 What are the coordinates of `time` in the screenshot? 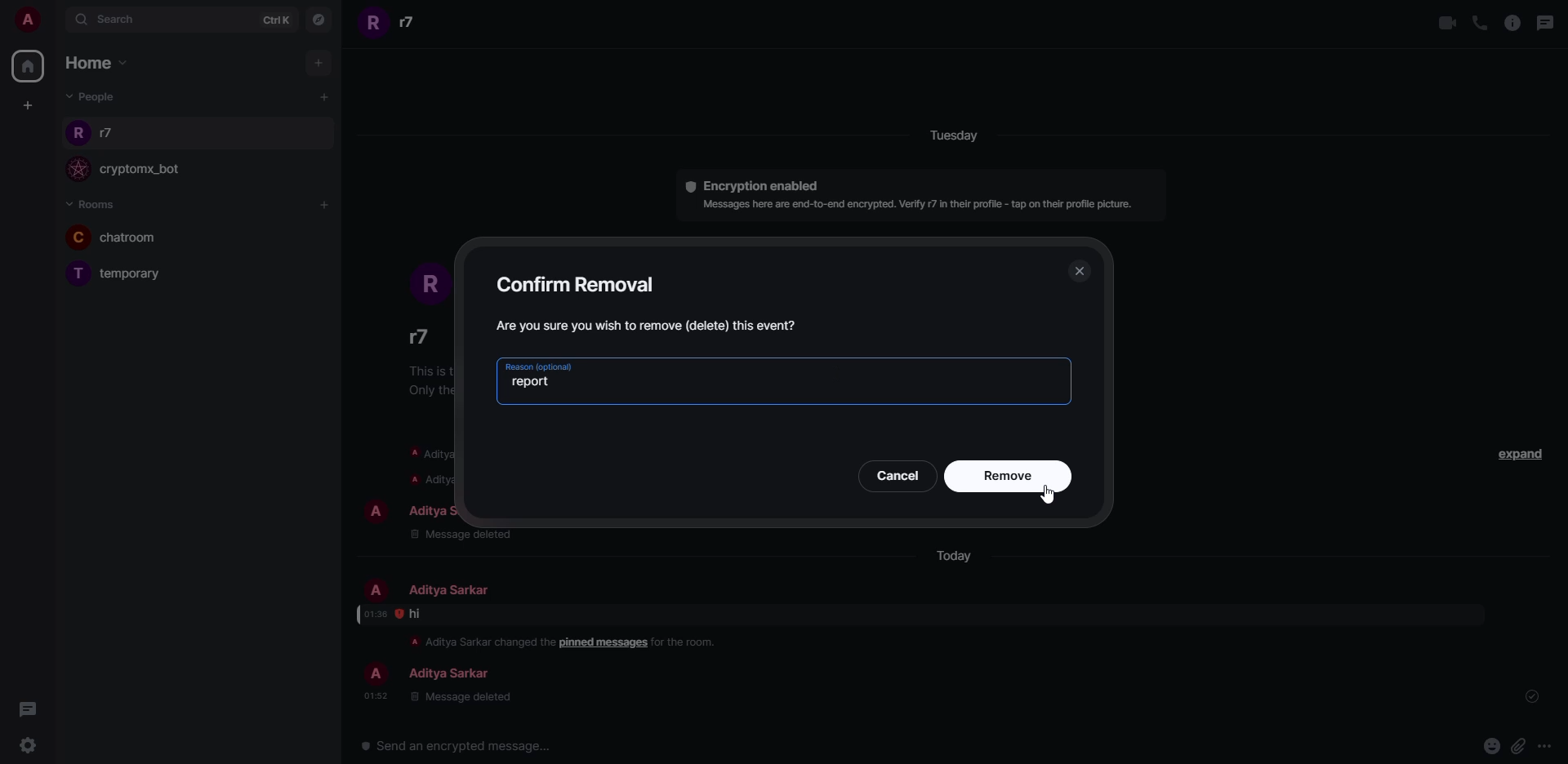 It's located at (376, 695).